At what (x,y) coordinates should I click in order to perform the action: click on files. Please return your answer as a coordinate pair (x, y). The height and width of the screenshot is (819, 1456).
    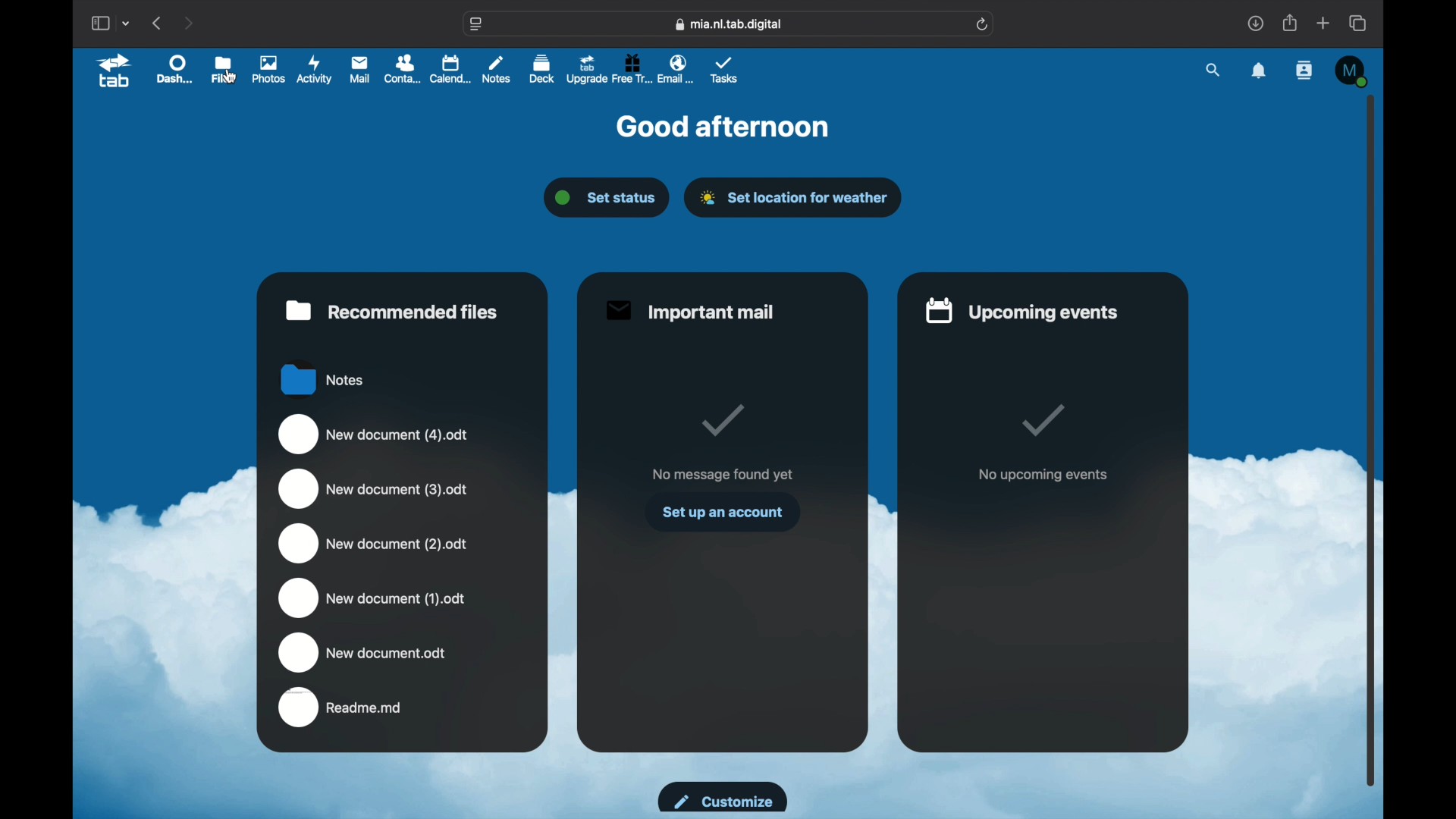
    Looking at the image, I should click on (223, 69).